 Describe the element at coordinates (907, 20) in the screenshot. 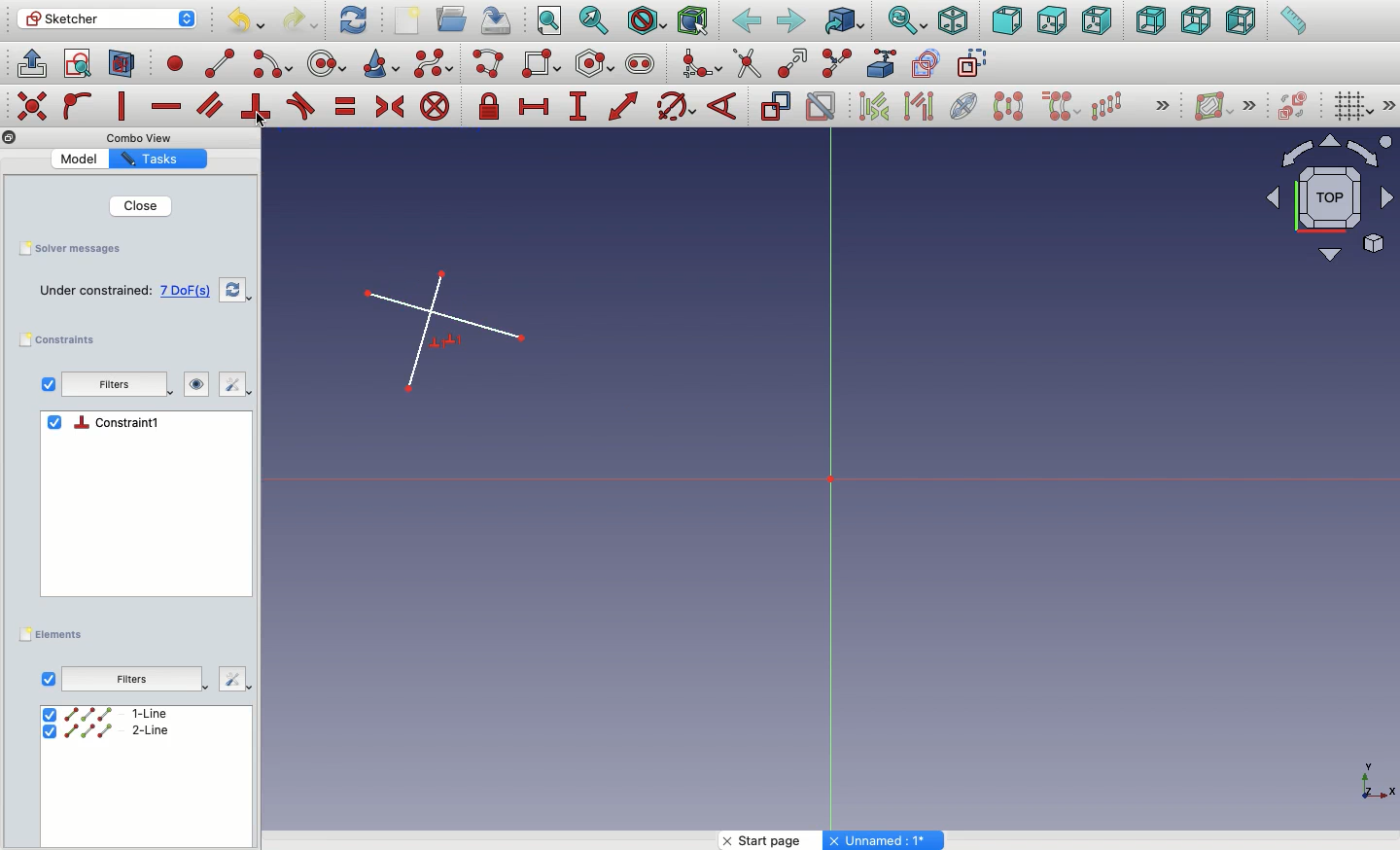

I see `Sync view` at that location.